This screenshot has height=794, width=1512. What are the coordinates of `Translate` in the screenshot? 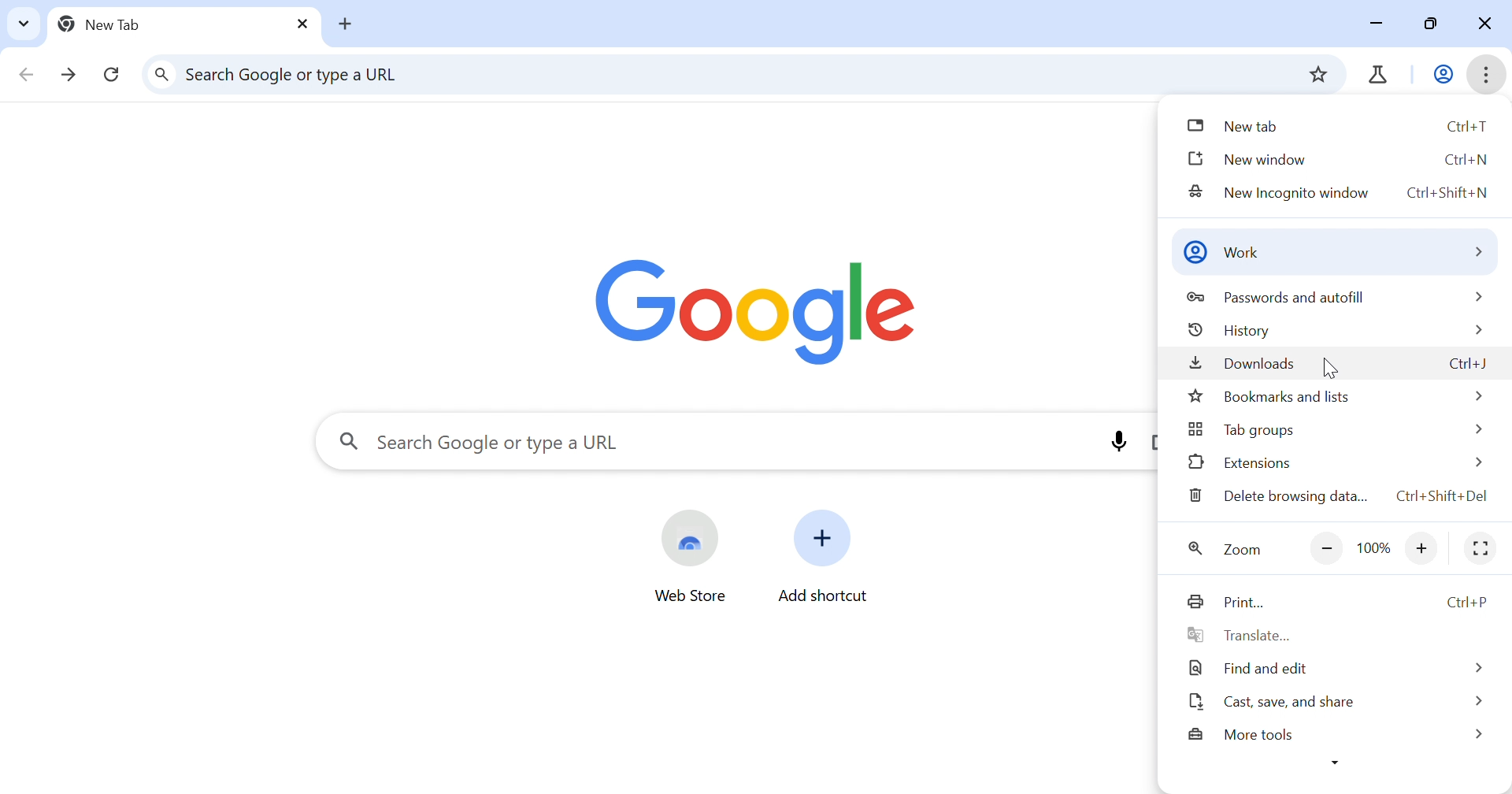 It's located at (1239, 635).